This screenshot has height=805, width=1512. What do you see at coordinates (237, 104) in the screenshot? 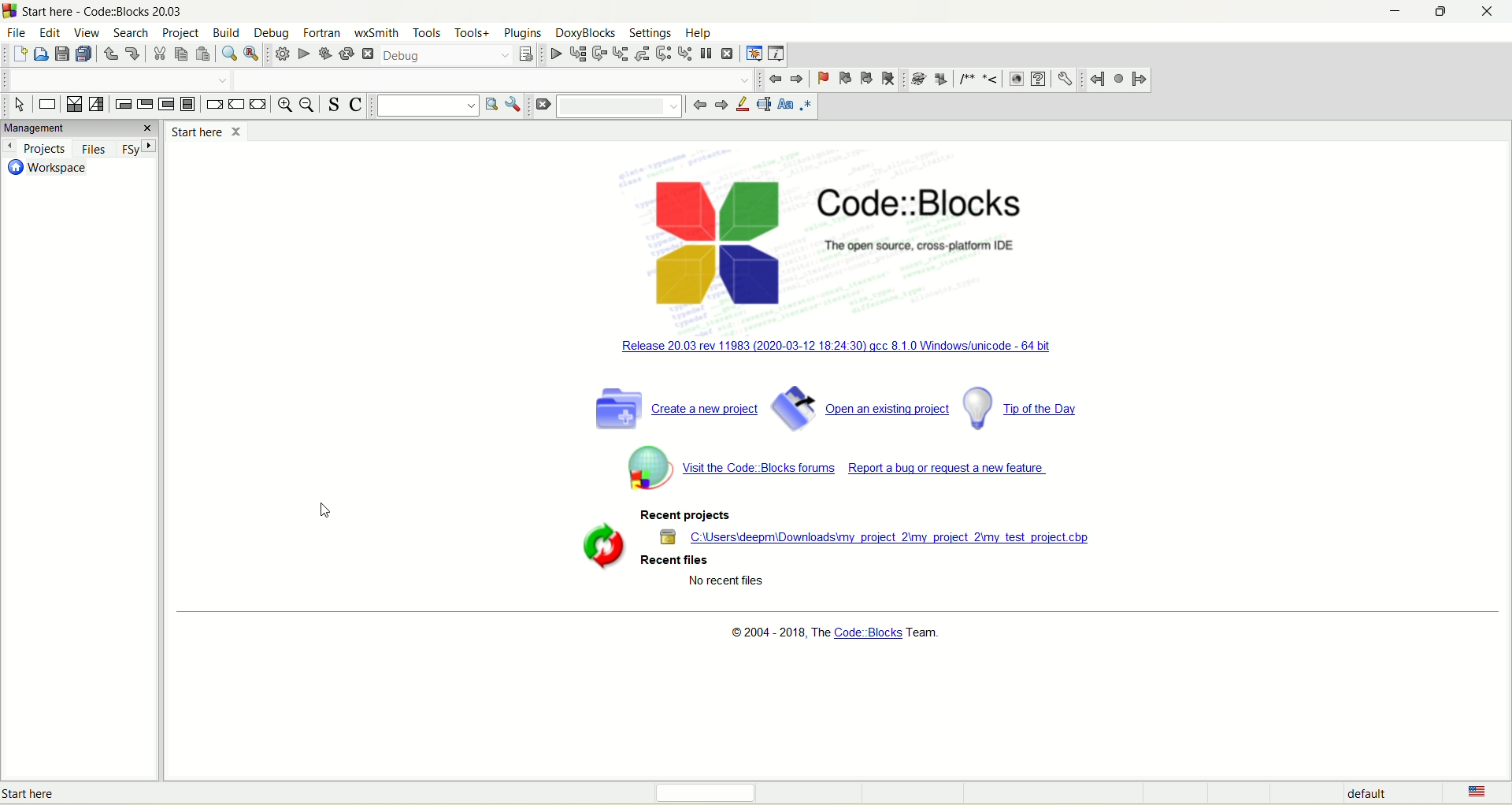
I see `continue instruction` at bounding box center [237, 104].